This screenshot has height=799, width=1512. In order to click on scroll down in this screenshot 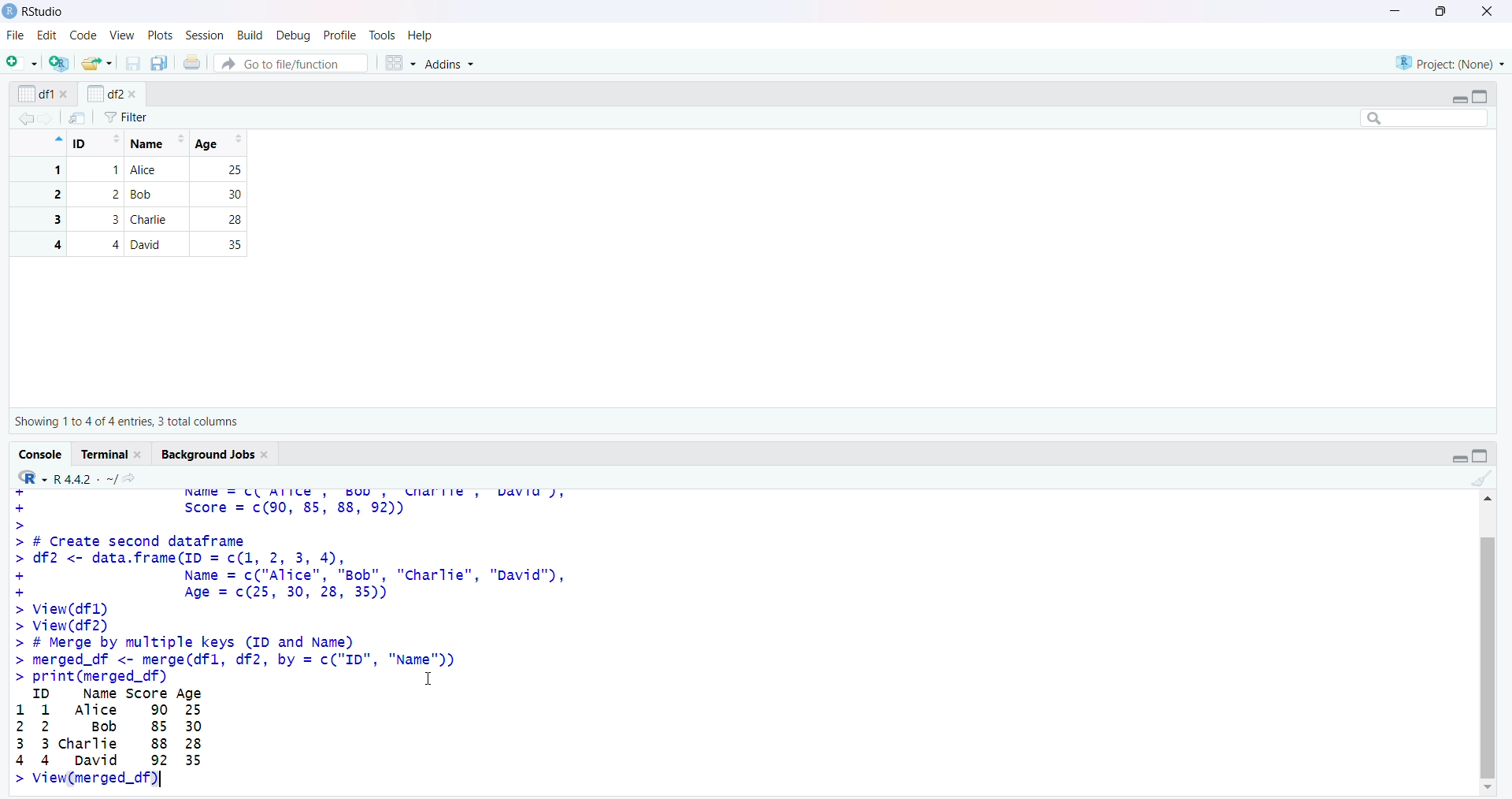, I will do `click(1490, 788)`.